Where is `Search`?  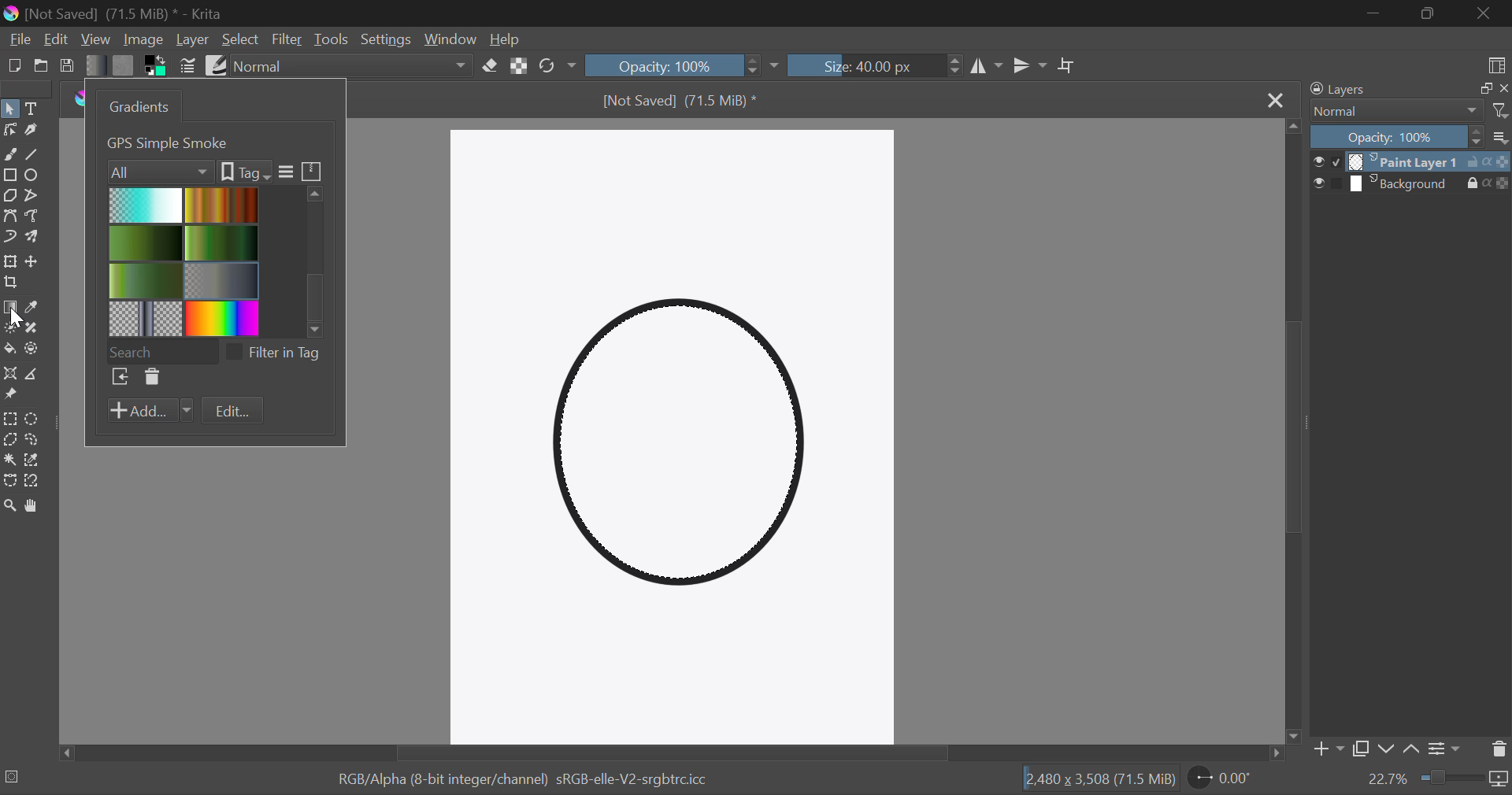
Search is located at coordinates (161, 352).